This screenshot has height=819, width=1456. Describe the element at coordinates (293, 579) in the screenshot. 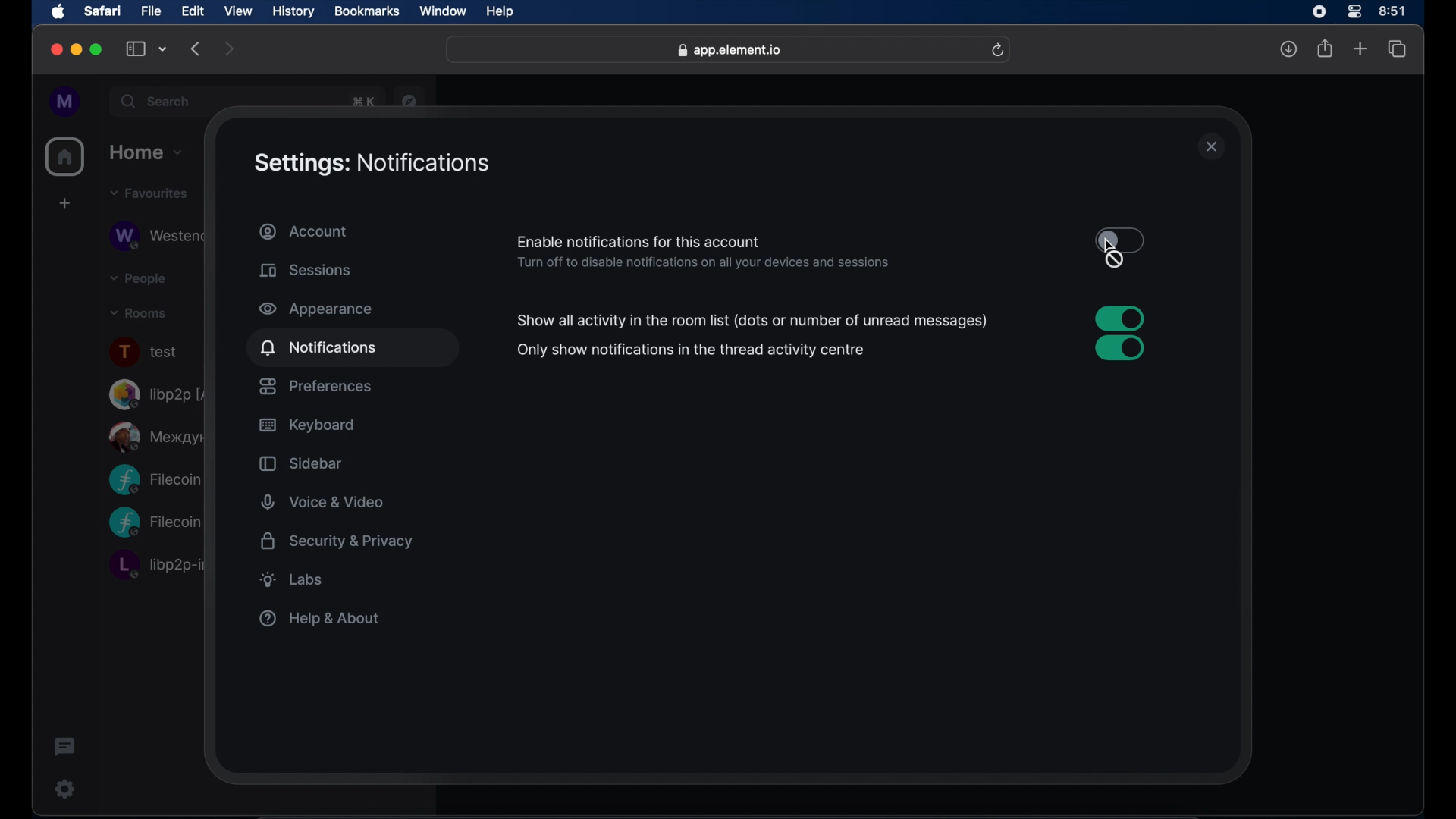

I see `labs` at that location.